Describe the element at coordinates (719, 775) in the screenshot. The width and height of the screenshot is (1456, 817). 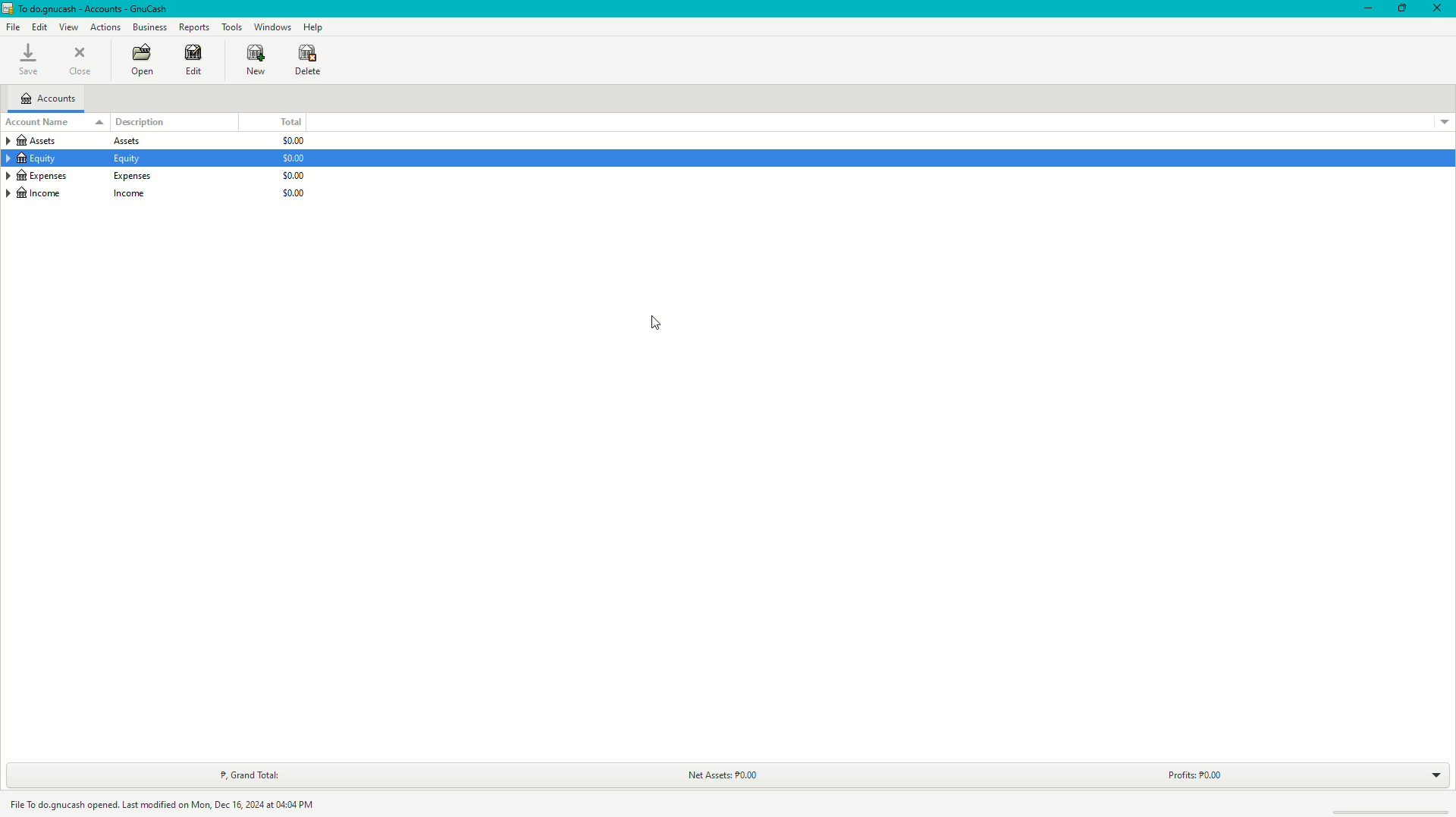
I see `Net Assets` at that location.